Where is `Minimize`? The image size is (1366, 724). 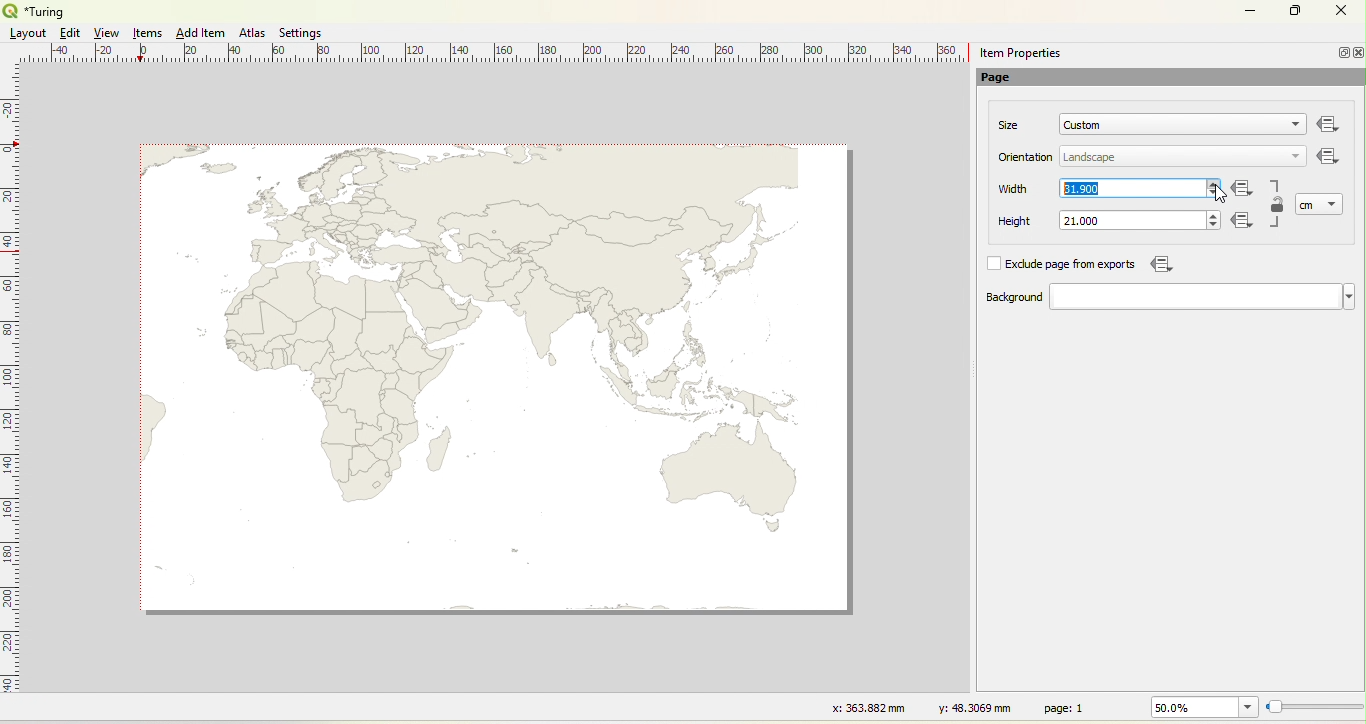 Minimize is located at coordinates (1341, 52).